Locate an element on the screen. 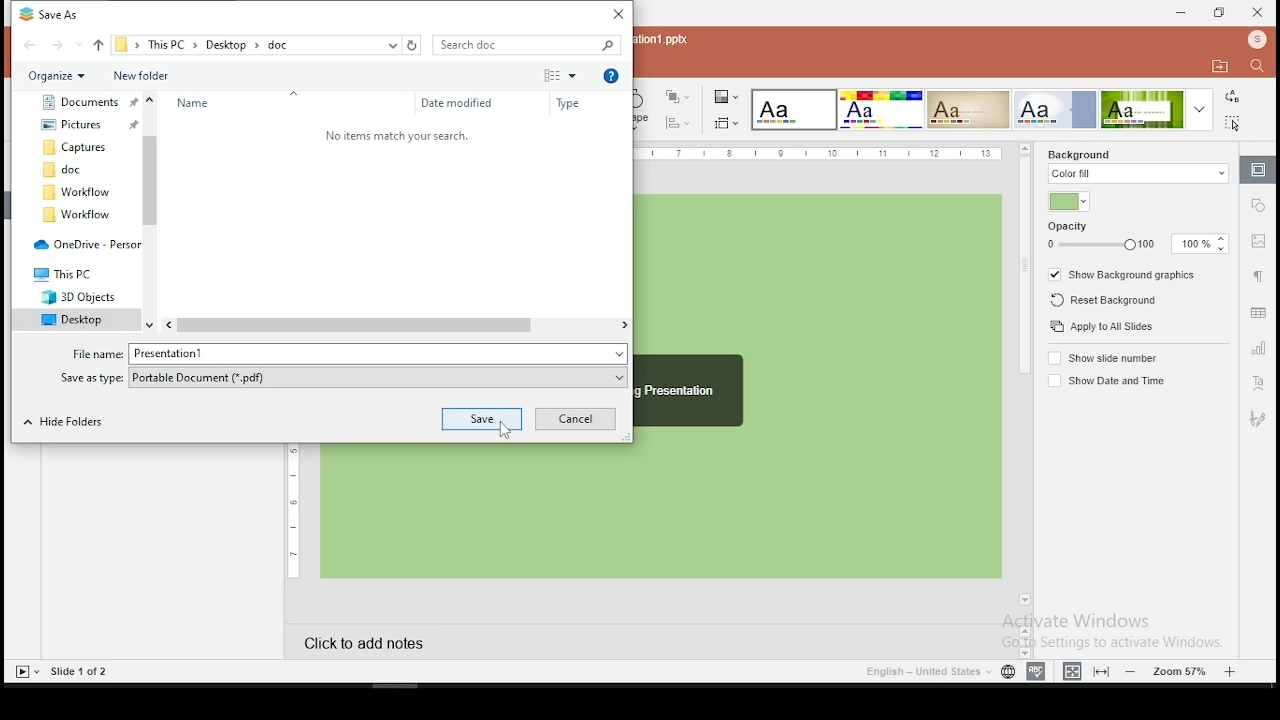 This screenshot has height=720, width=1280. spell check is located at coordinates (1036, 669).